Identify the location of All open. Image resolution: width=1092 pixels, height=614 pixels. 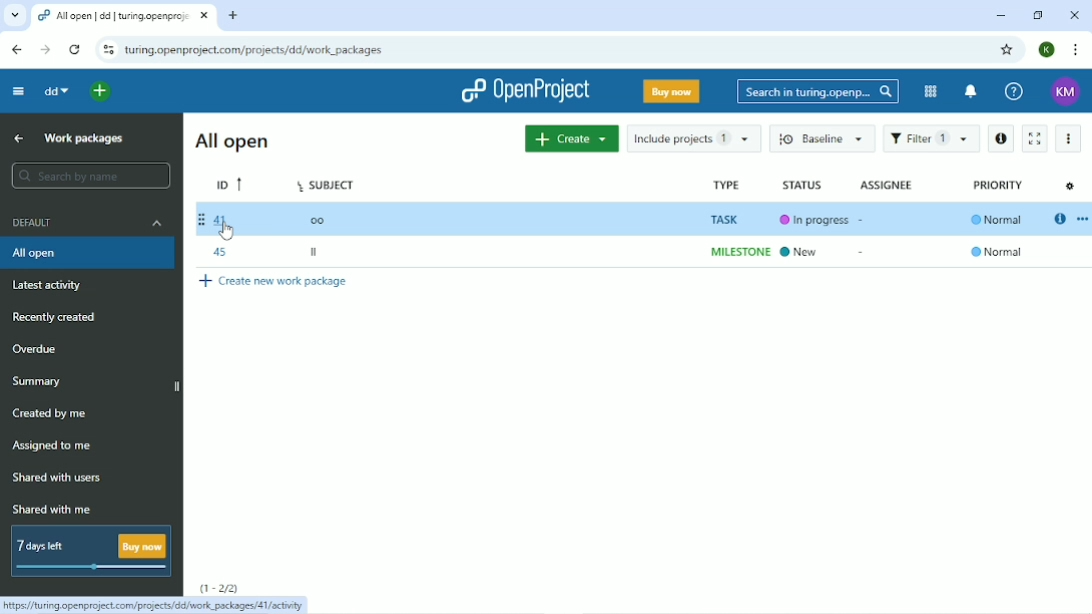
(237, 140).